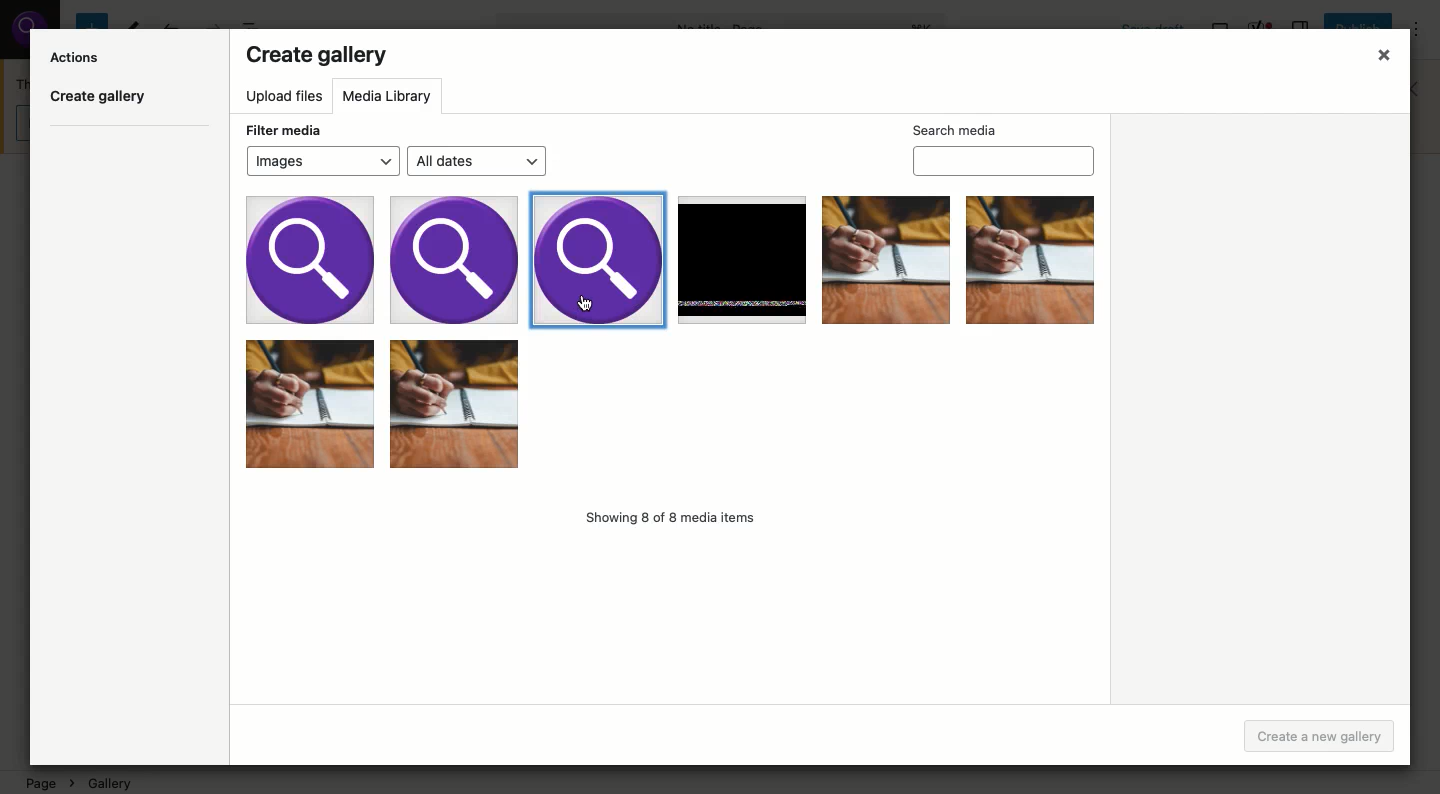 The width and height of the screenshot is (1440, 794). I want to click on Actions, so click(77, 56).